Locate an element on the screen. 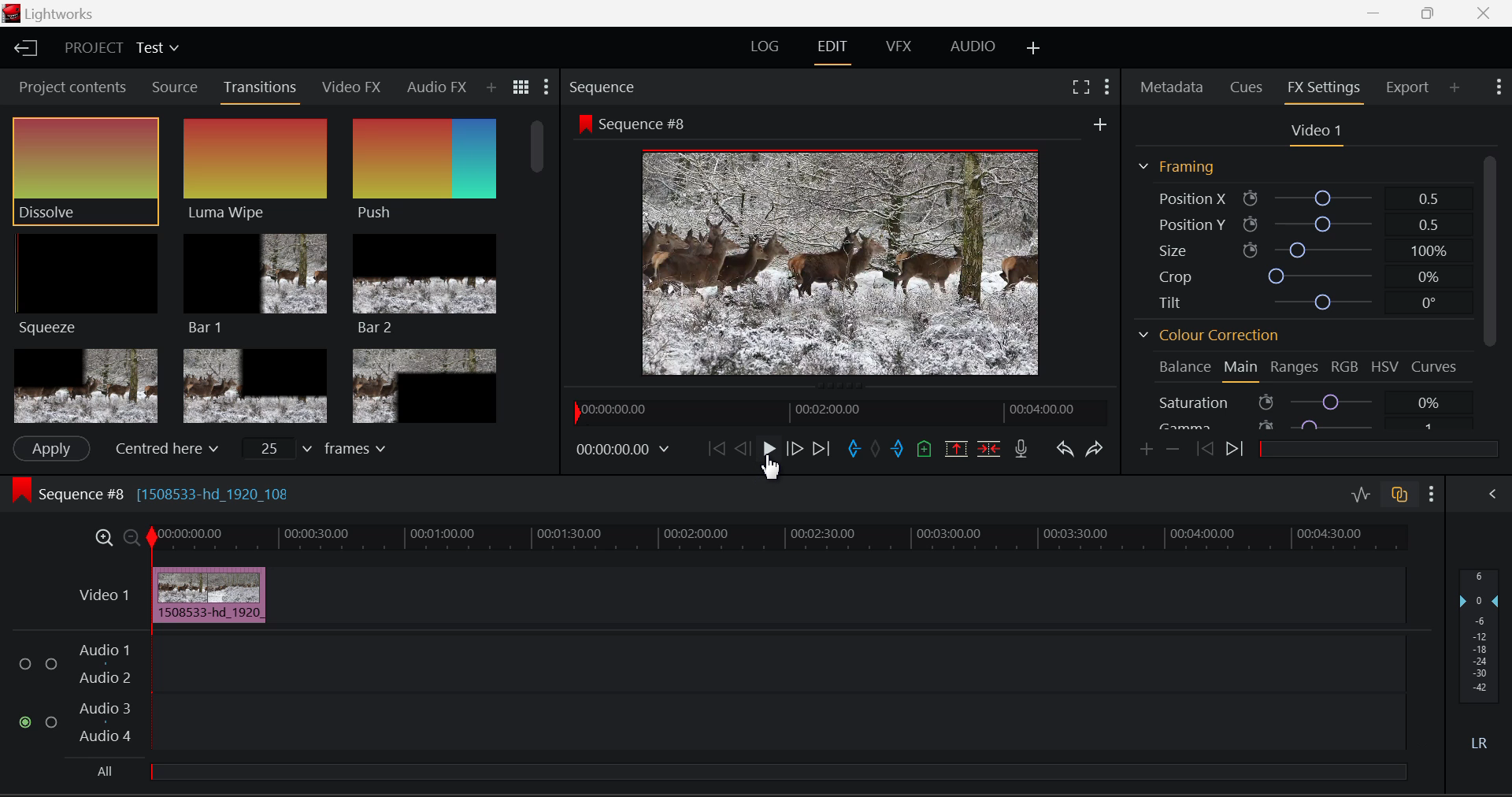 Image resolution: width=1512 pixels, height=797 pixels. Remove all marks is located at coordinates (875, 451).